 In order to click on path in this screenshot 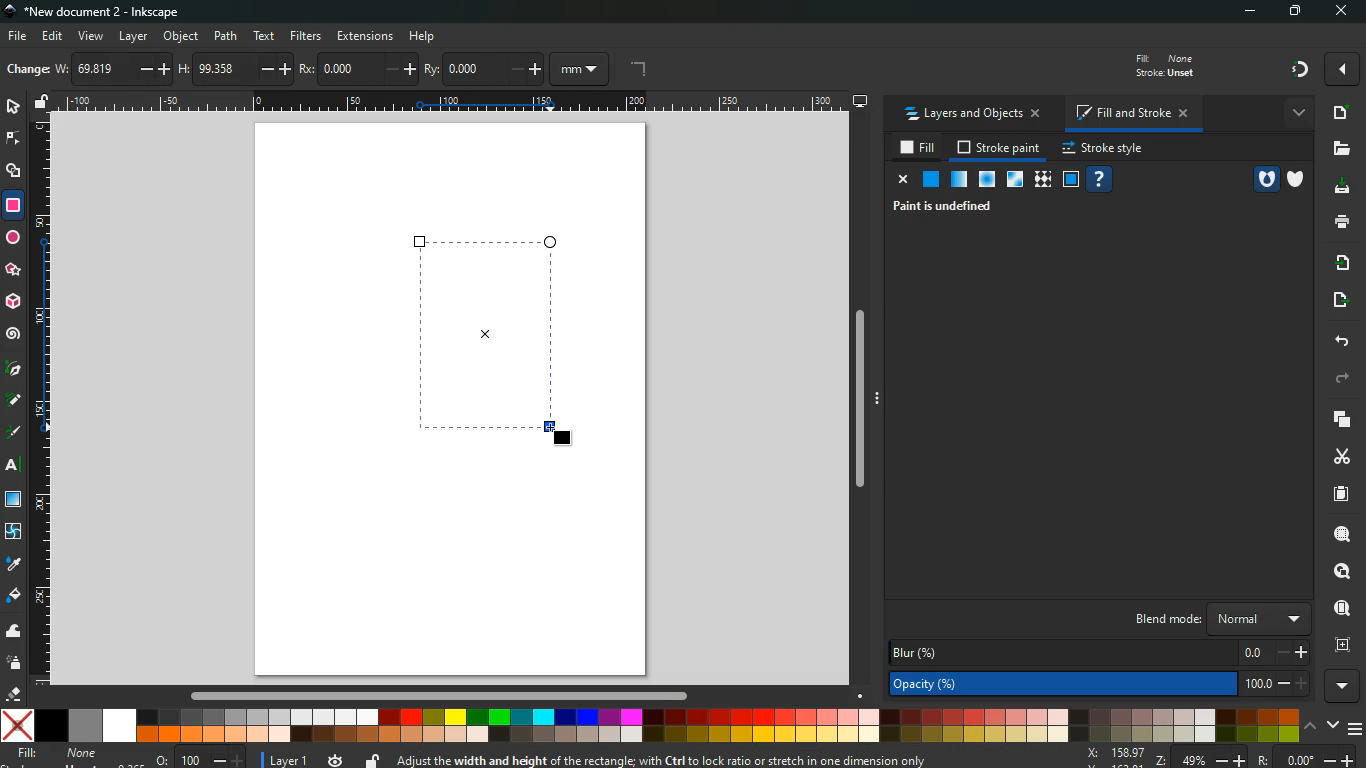, I will do `click(228, 34)`.